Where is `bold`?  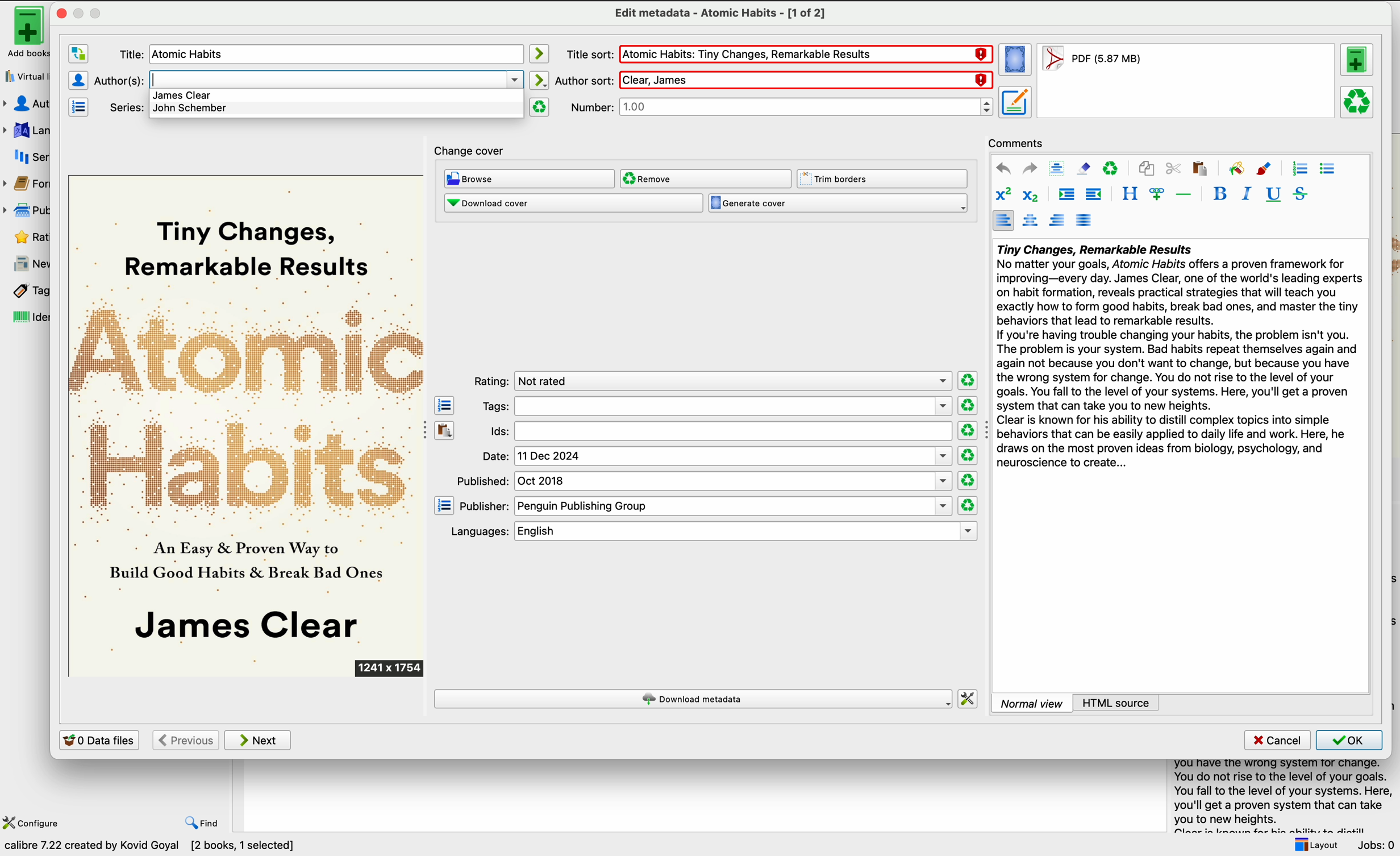
bold is located at coordinates (1220, 193).